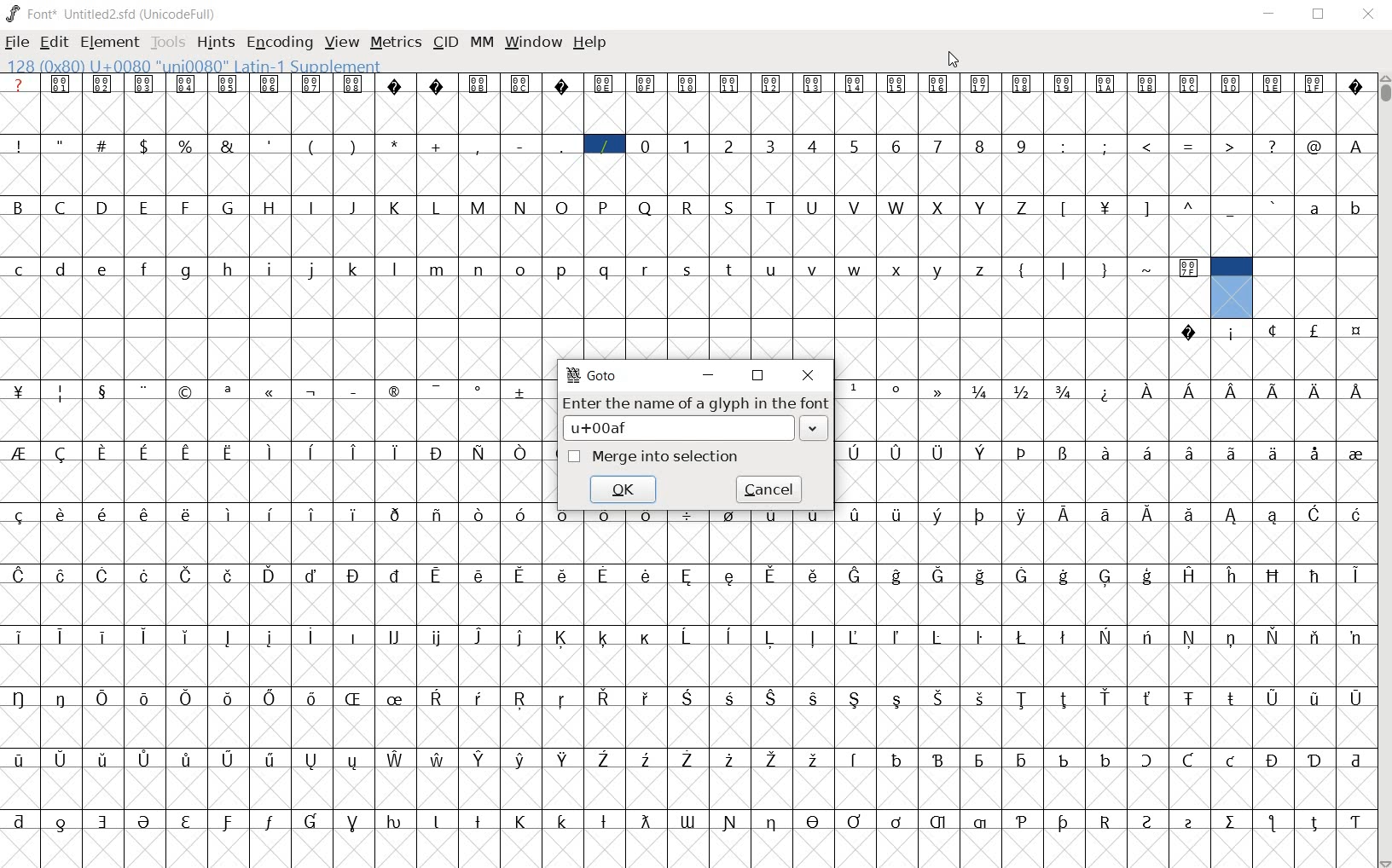 The image size is (1392, 868). What do you see at coordinates (1315, 574) in the screenshot?
I see `Symbol` at bounding box center [1315, 574].